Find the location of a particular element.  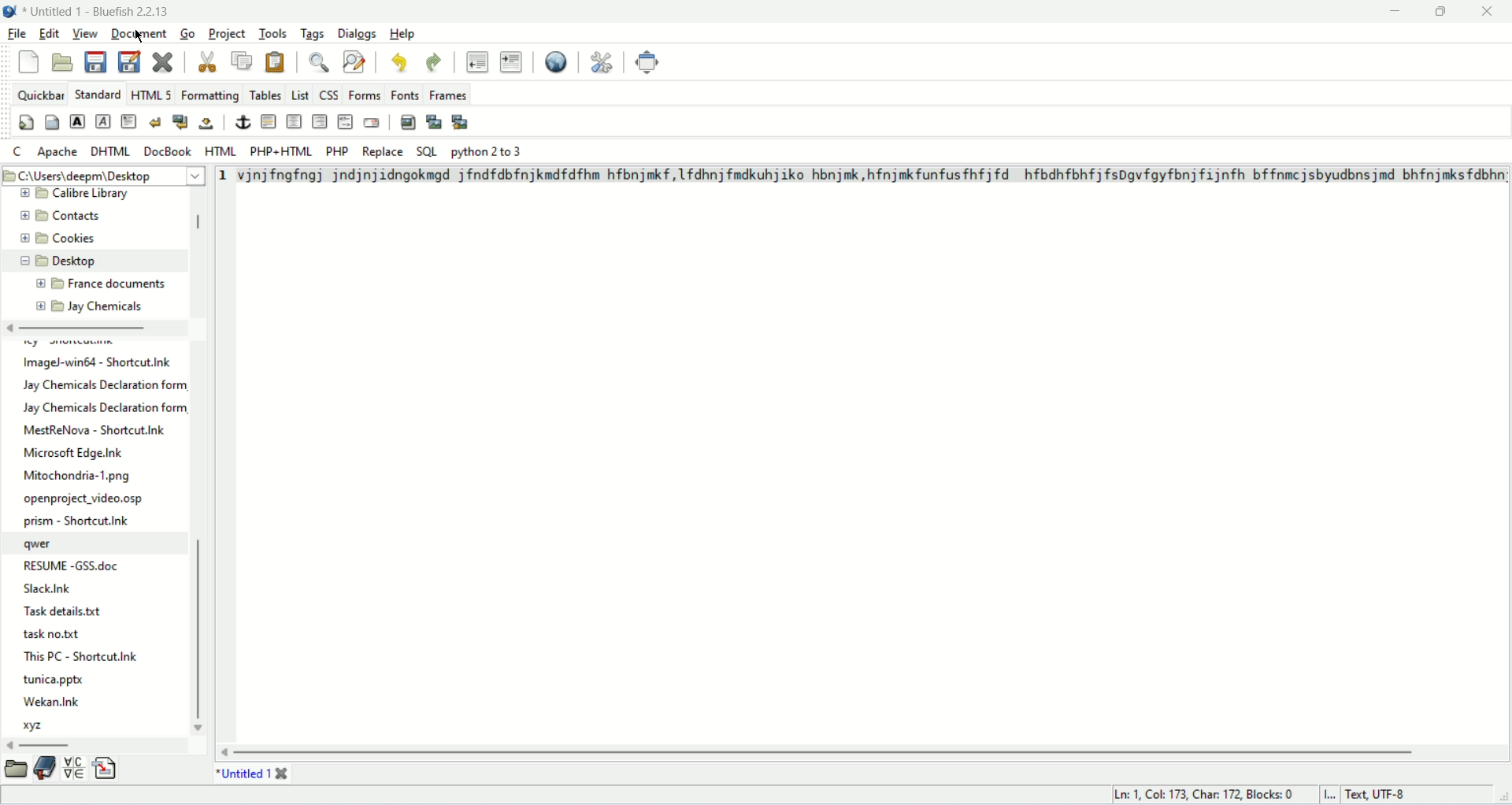

indent is located at coordinates (513, 62).